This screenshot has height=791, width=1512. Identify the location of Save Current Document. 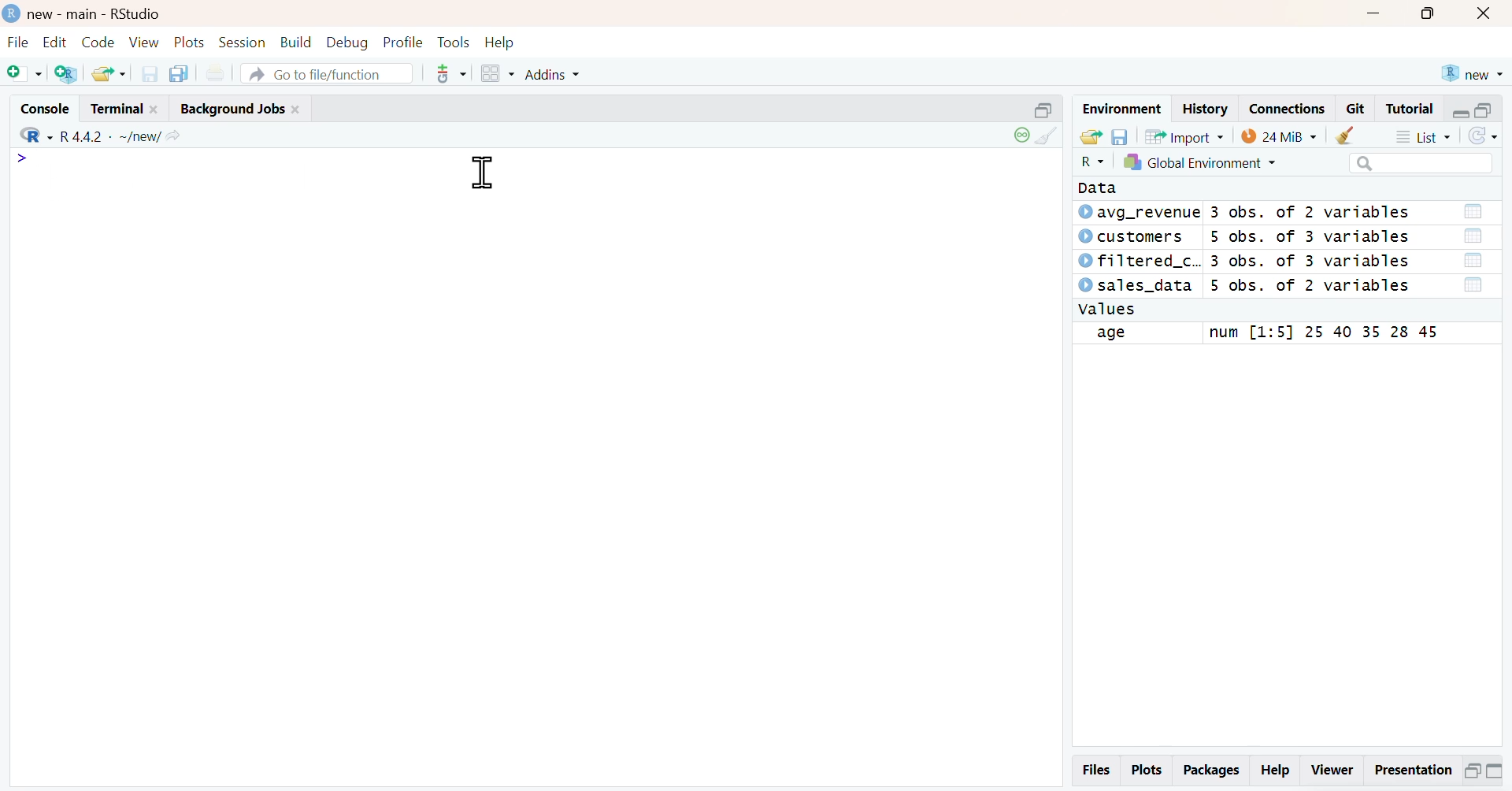
(150, 75).